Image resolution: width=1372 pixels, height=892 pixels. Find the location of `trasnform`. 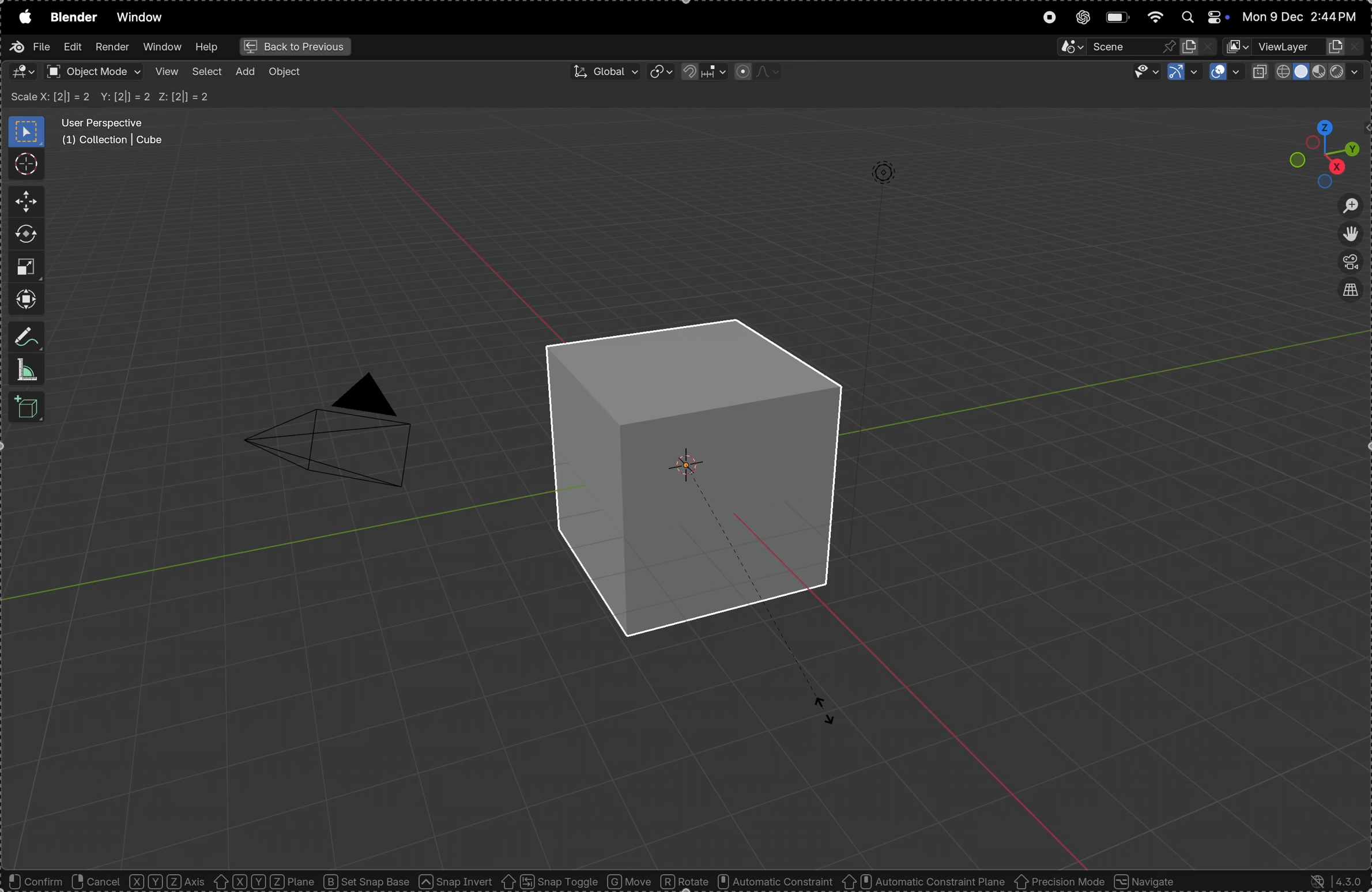

trasnform is located at coordinates (22, 299).